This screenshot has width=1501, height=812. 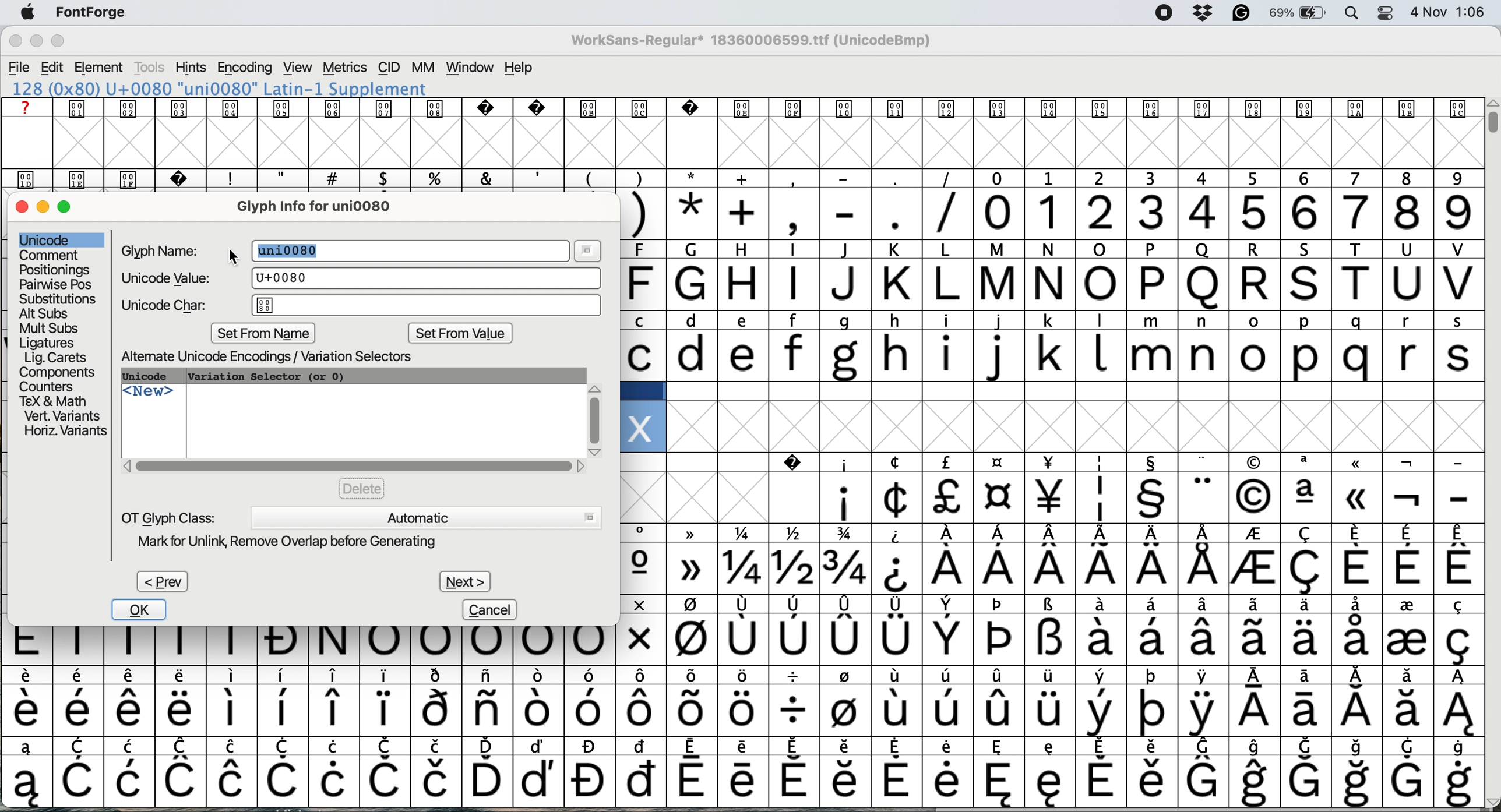 I want to click on unicode char, so click(x=362, y=306).